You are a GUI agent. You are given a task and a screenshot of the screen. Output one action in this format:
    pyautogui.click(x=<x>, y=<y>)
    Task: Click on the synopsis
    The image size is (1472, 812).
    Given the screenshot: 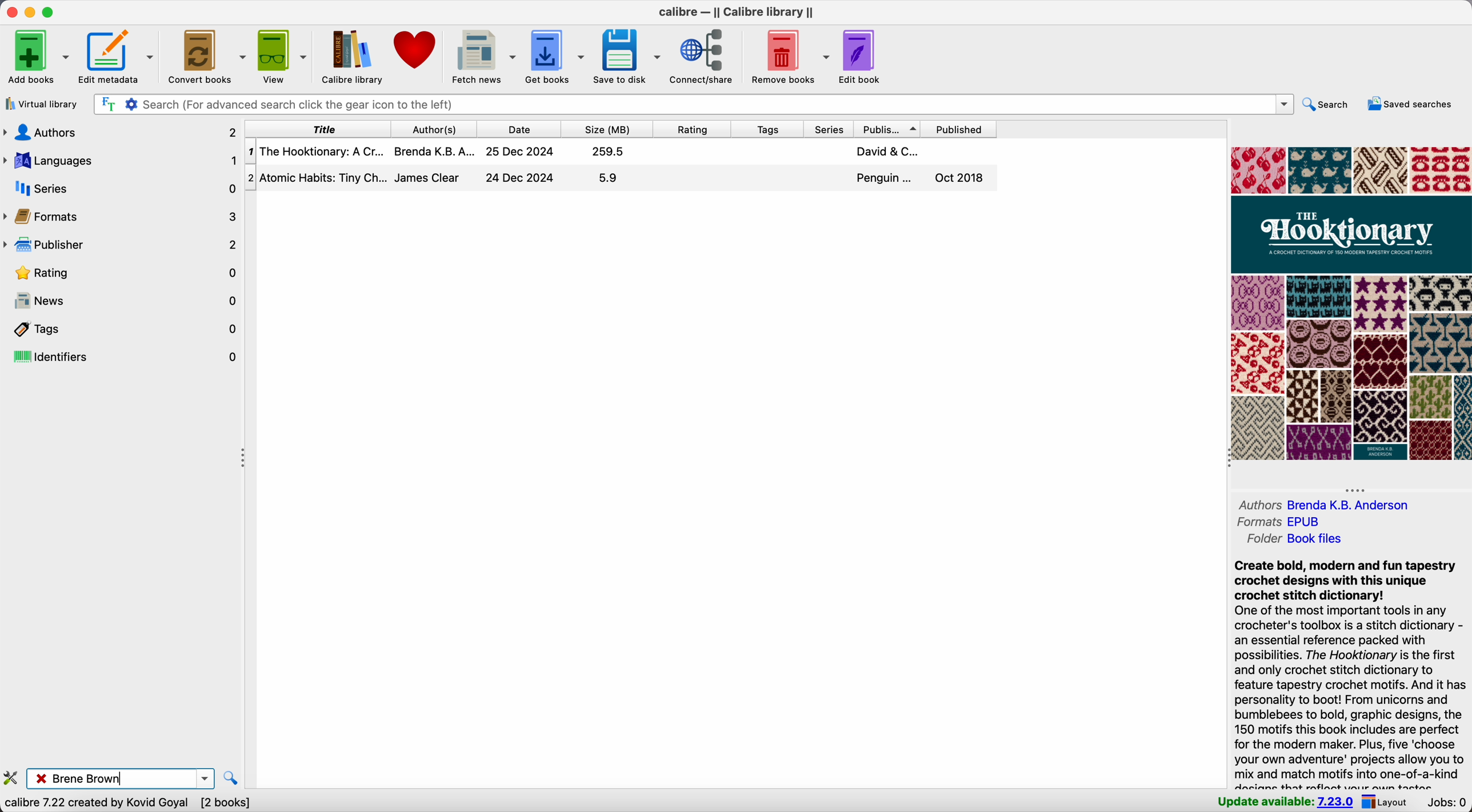 What is the action you would take?
    pyautogui.click(x=1351, y=673)
    